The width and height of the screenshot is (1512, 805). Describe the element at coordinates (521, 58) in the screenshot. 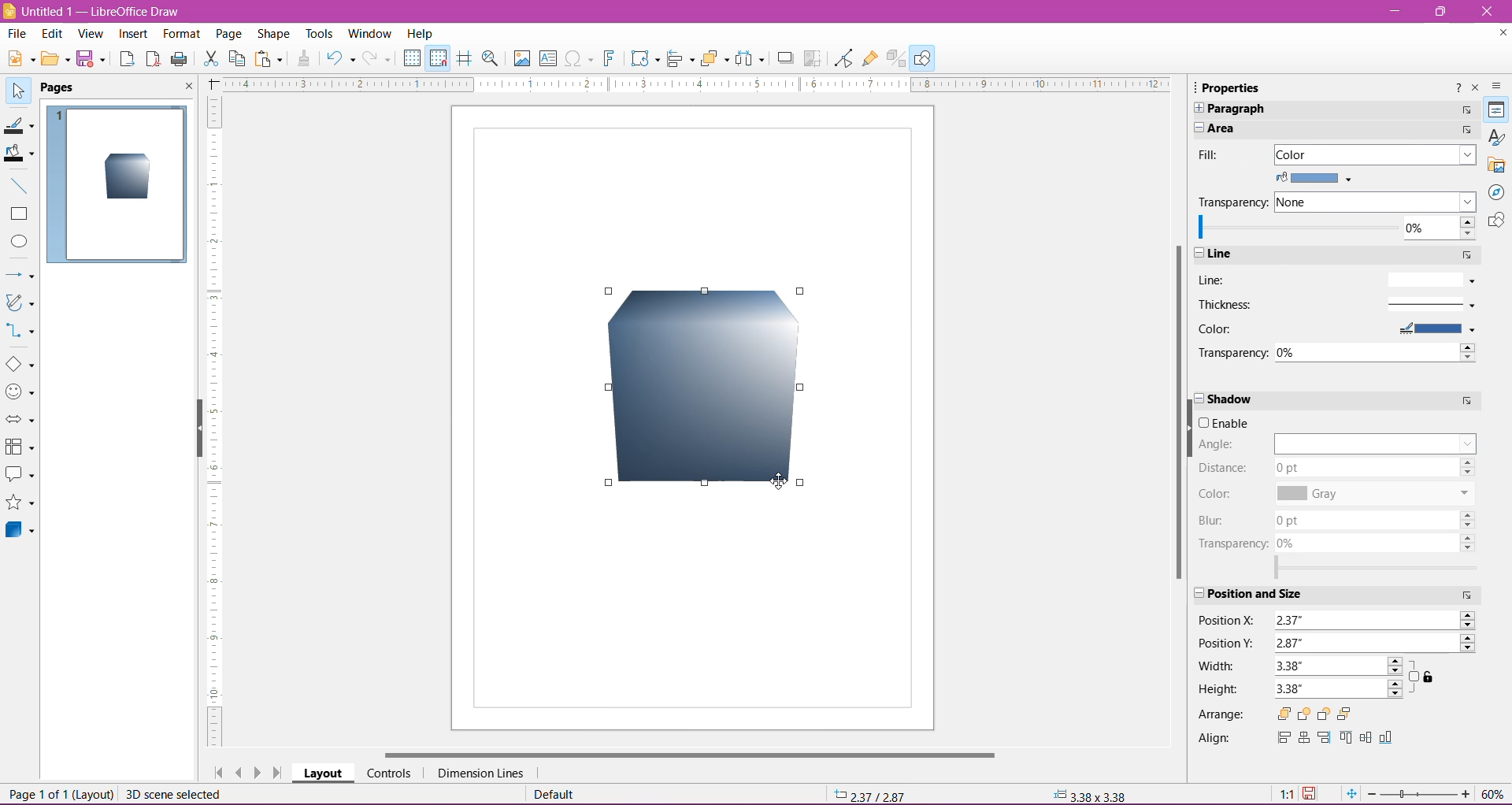

I see `Insert Image` at that location.